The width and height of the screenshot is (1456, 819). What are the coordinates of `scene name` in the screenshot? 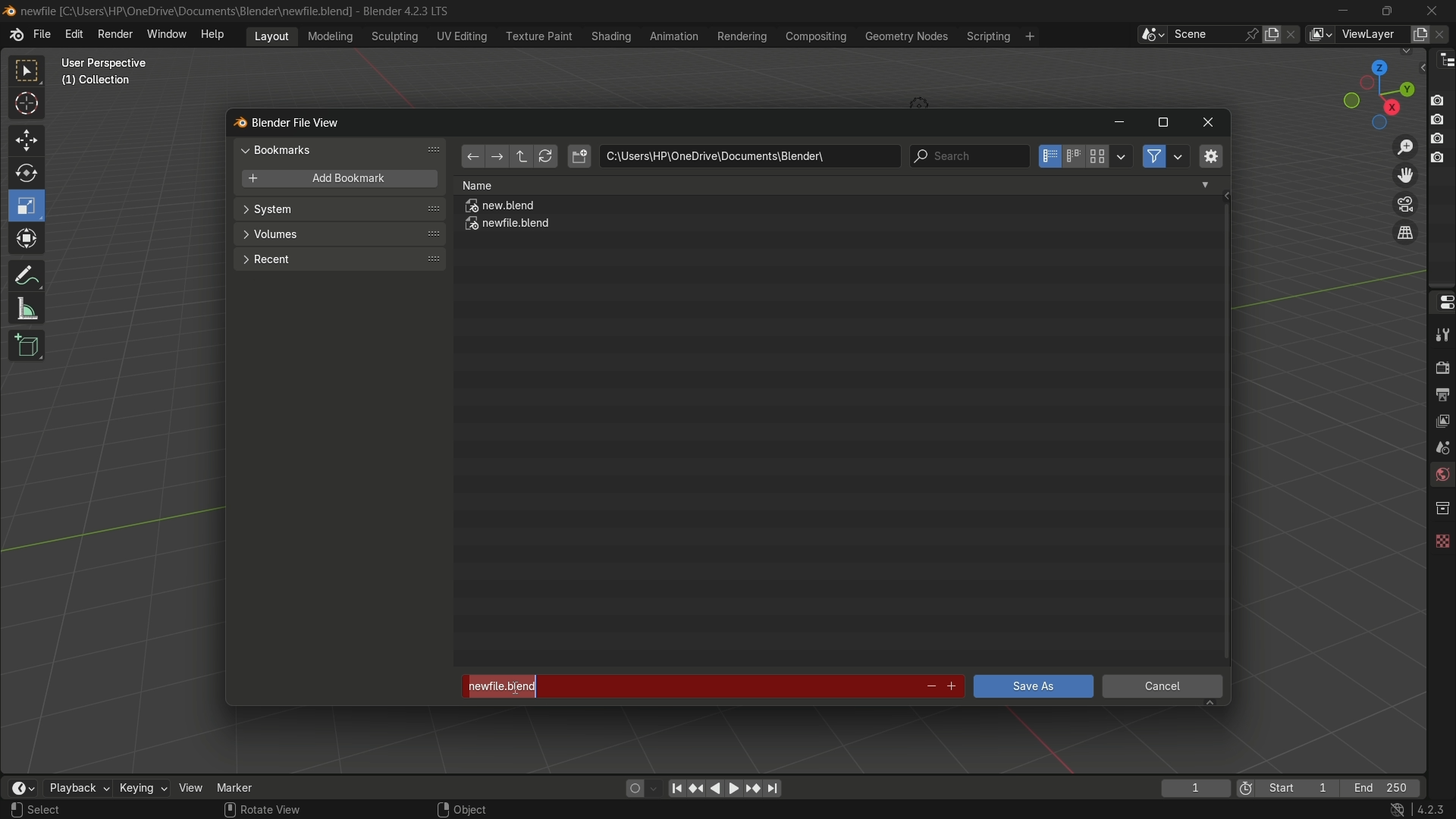 It's located at (1205, 33).